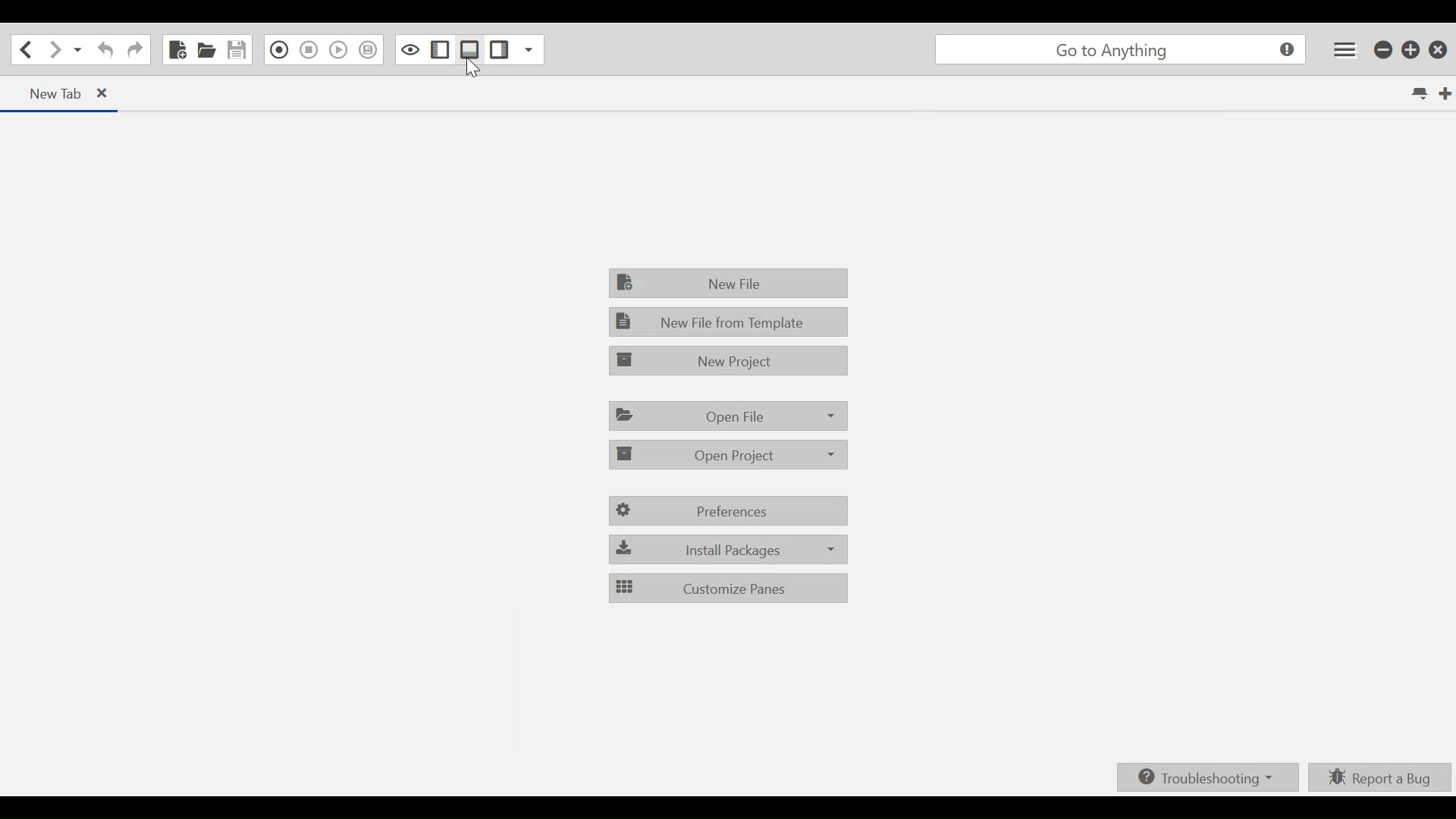  I want to click on New Tab, so click(1443, 95).